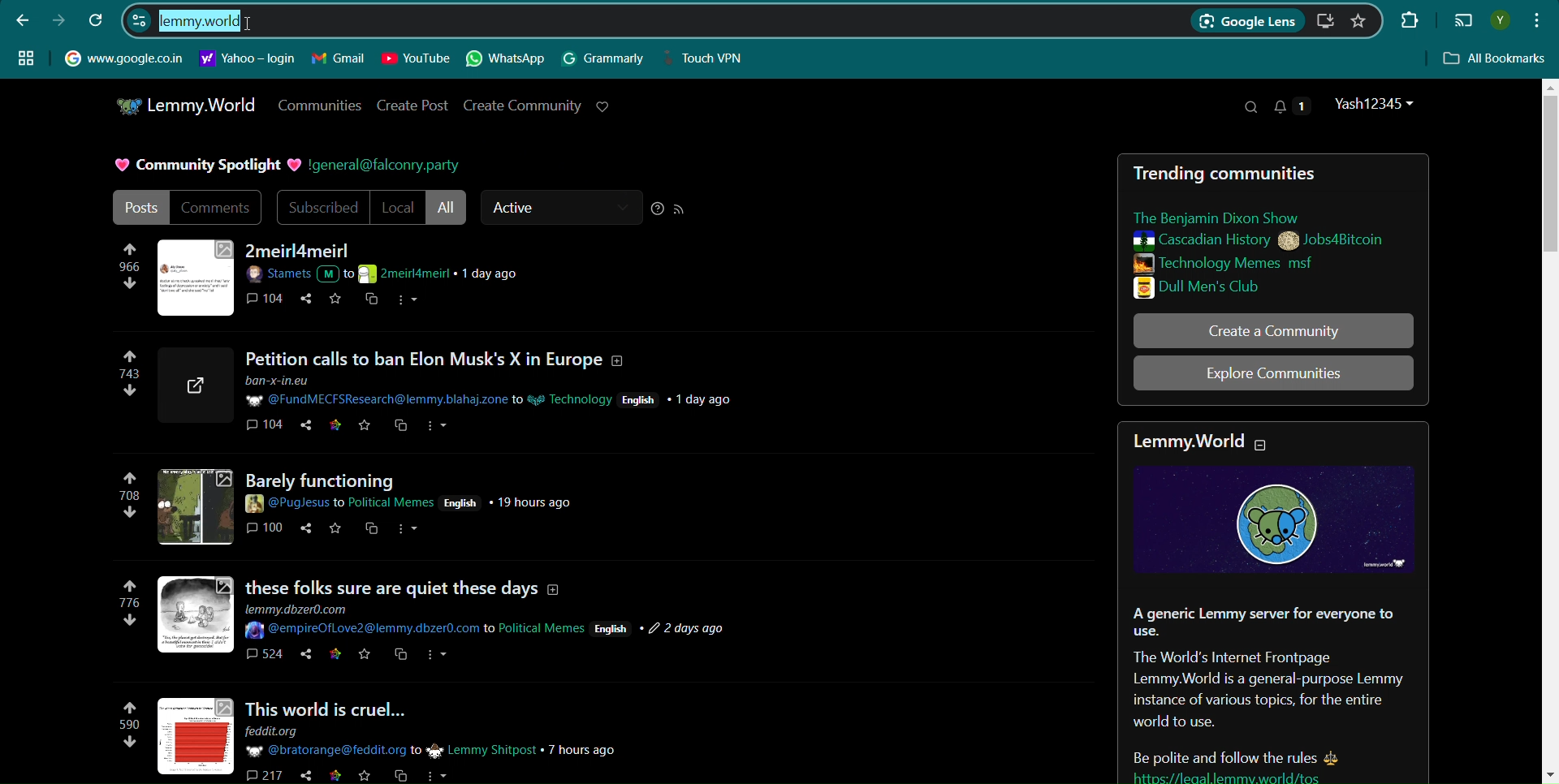 This screenshot has height=784, width=1559. I want to click on Touch VPN, so click(709, 58).